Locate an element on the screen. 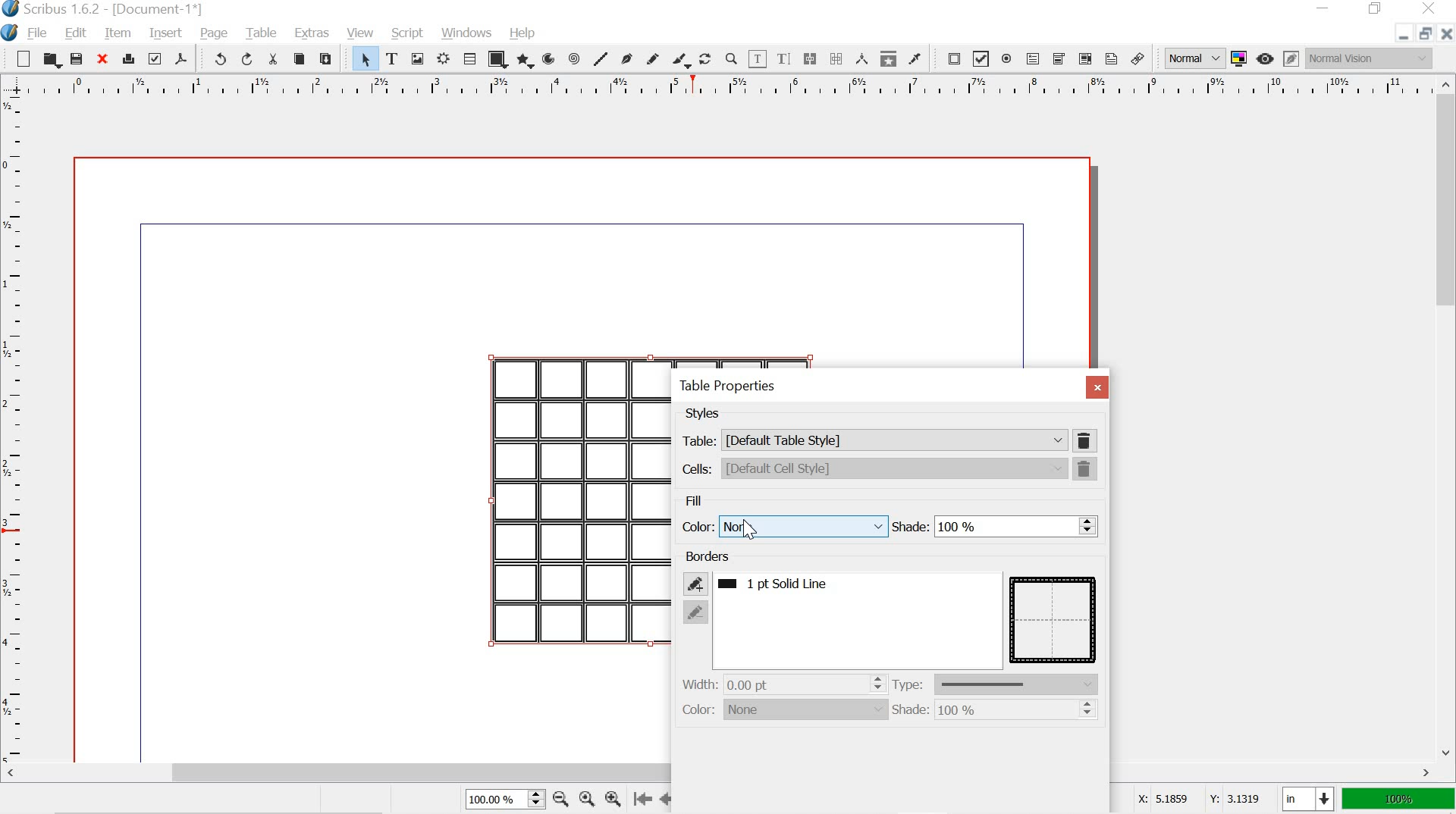 This screenshot has height=814, width=1456. zoom in is located at coordinates (613, 798).